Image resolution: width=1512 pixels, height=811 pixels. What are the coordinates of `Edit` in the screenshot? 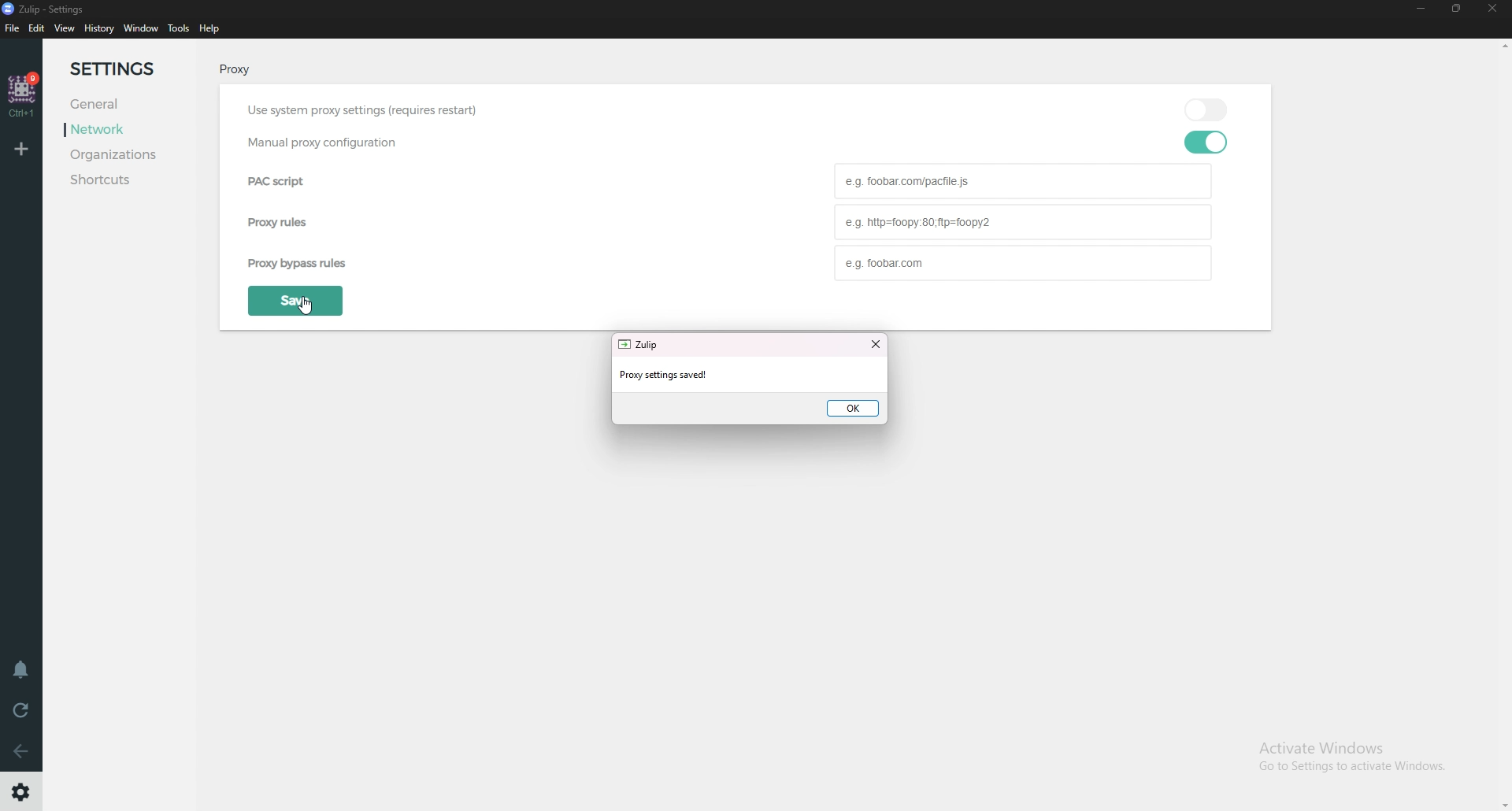 It's located at (38, 29).